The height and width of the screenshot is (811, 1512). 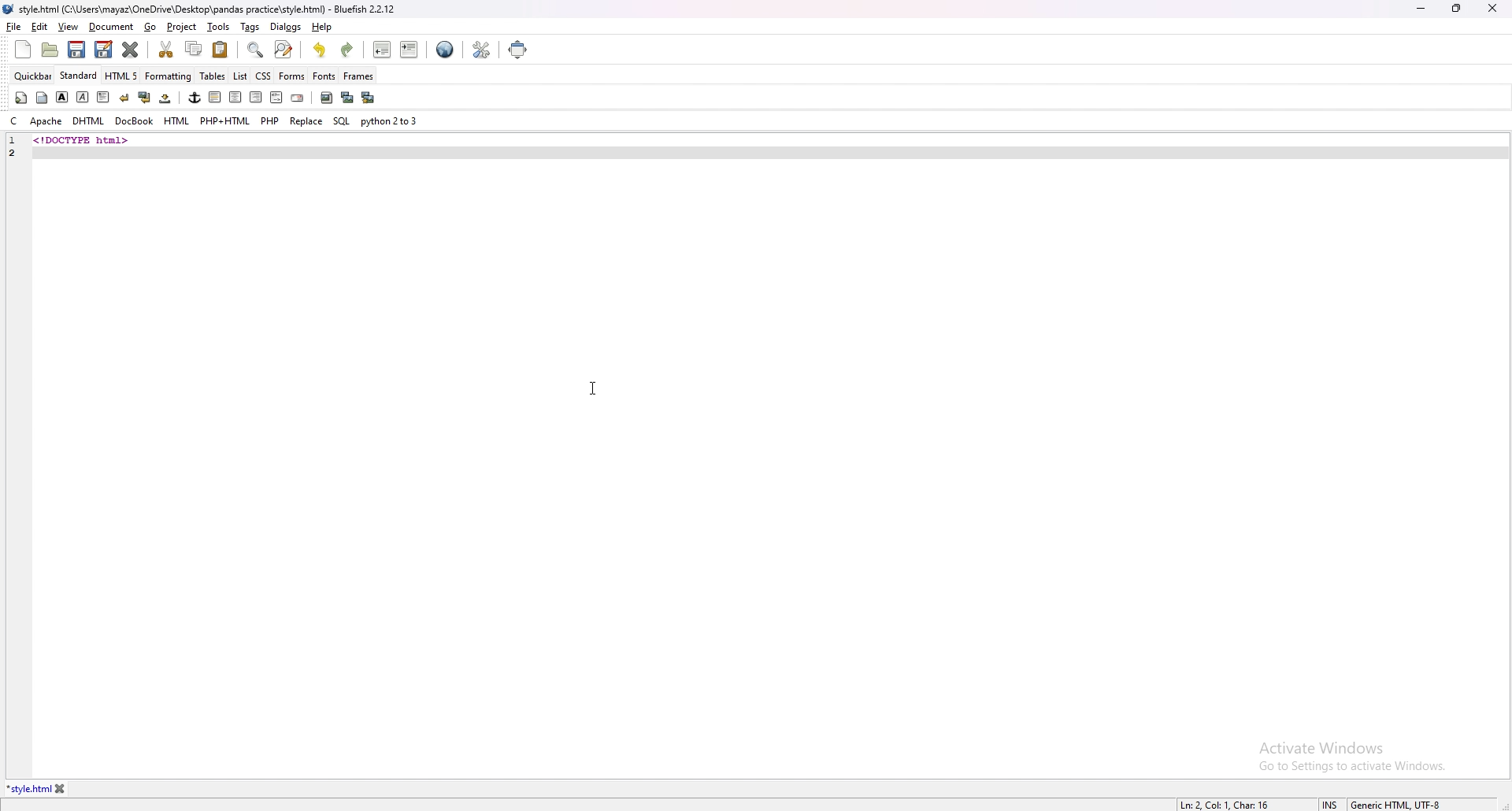 What do you see at coordinates (219, 27) in the screenshot?
I see `tools` at bounding box center [219, 27].